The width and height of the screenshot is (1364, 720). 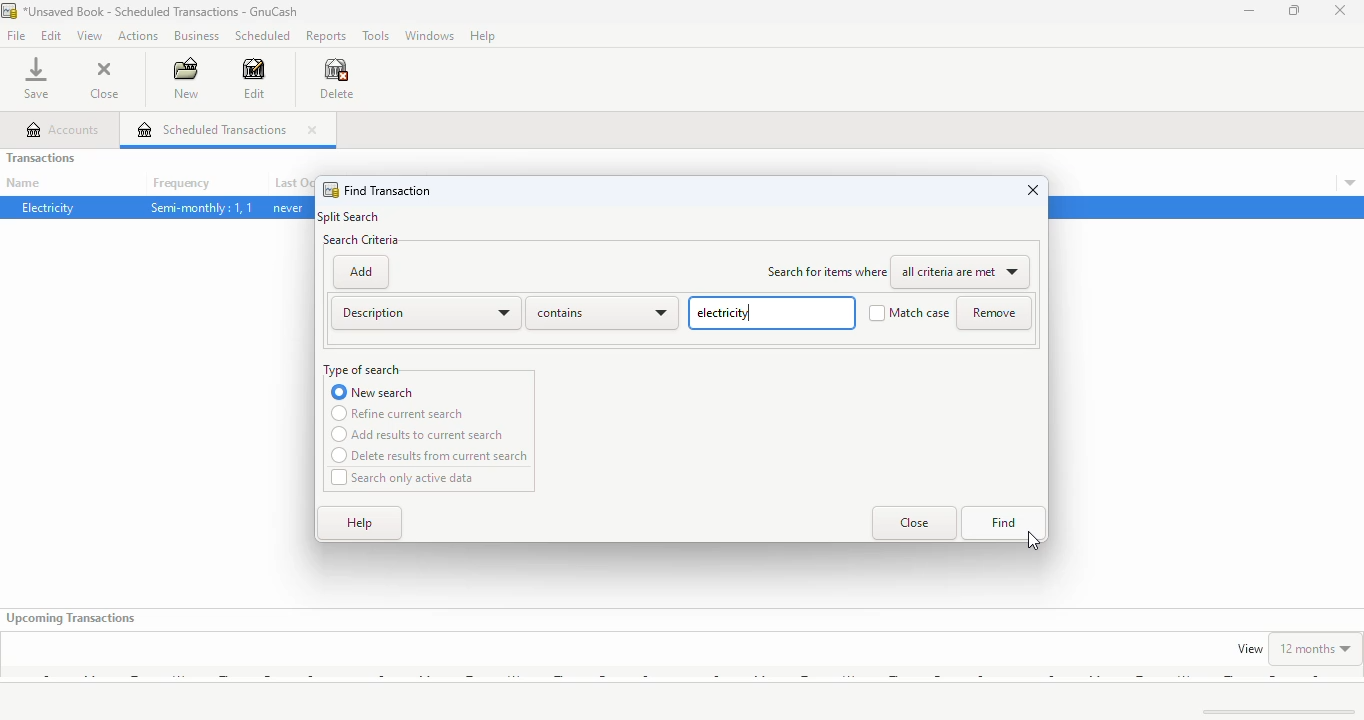 What do you see at coordinates (212, 129) in the screenshot?
I see `scheduled transactions` at bounding box center [212, 129].